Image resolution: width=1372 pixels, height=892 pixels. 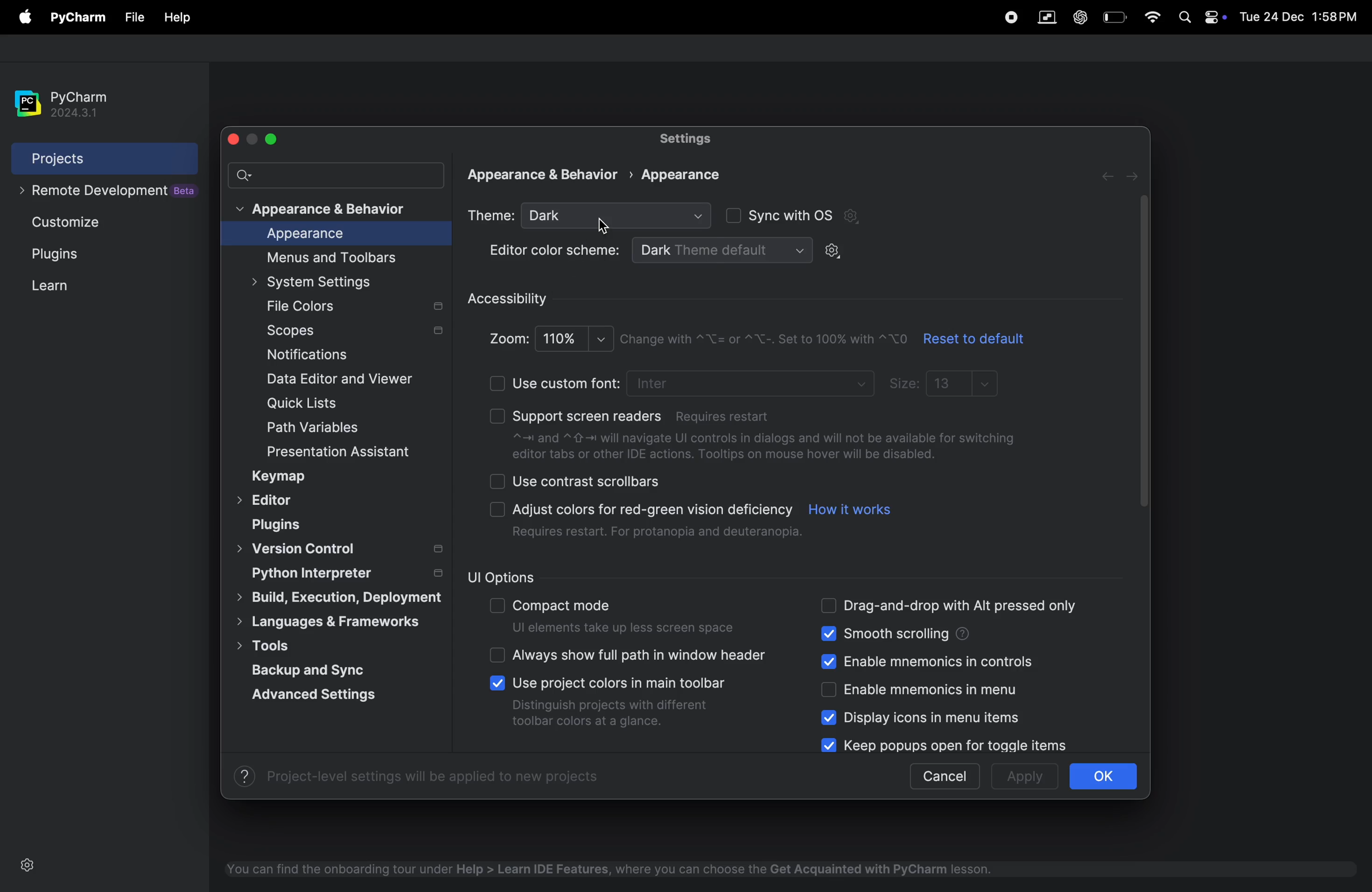 I want to click on cancel, so click(x=946, y=777).